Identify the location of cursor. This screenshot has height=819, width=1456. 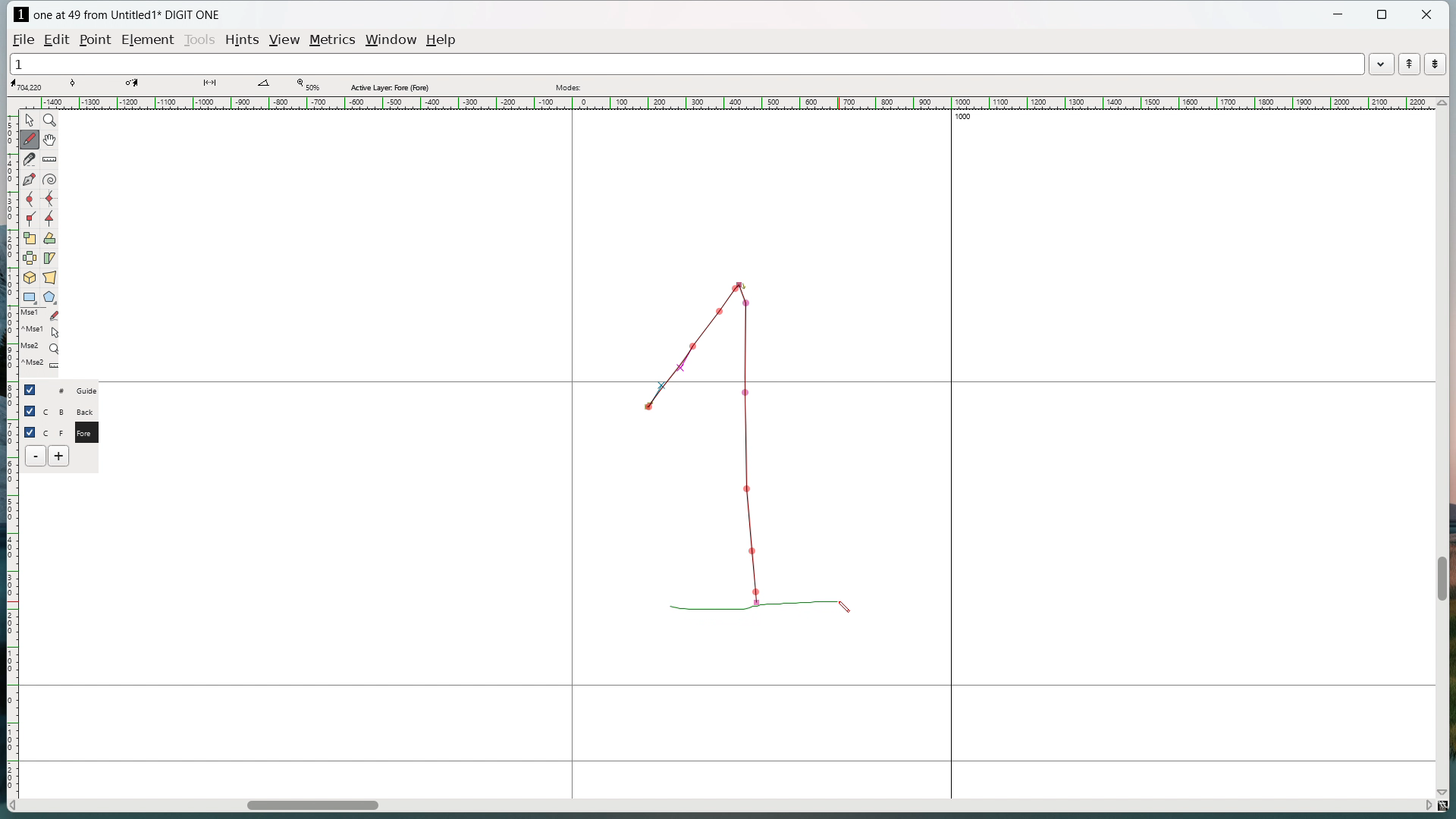
(849, 605).